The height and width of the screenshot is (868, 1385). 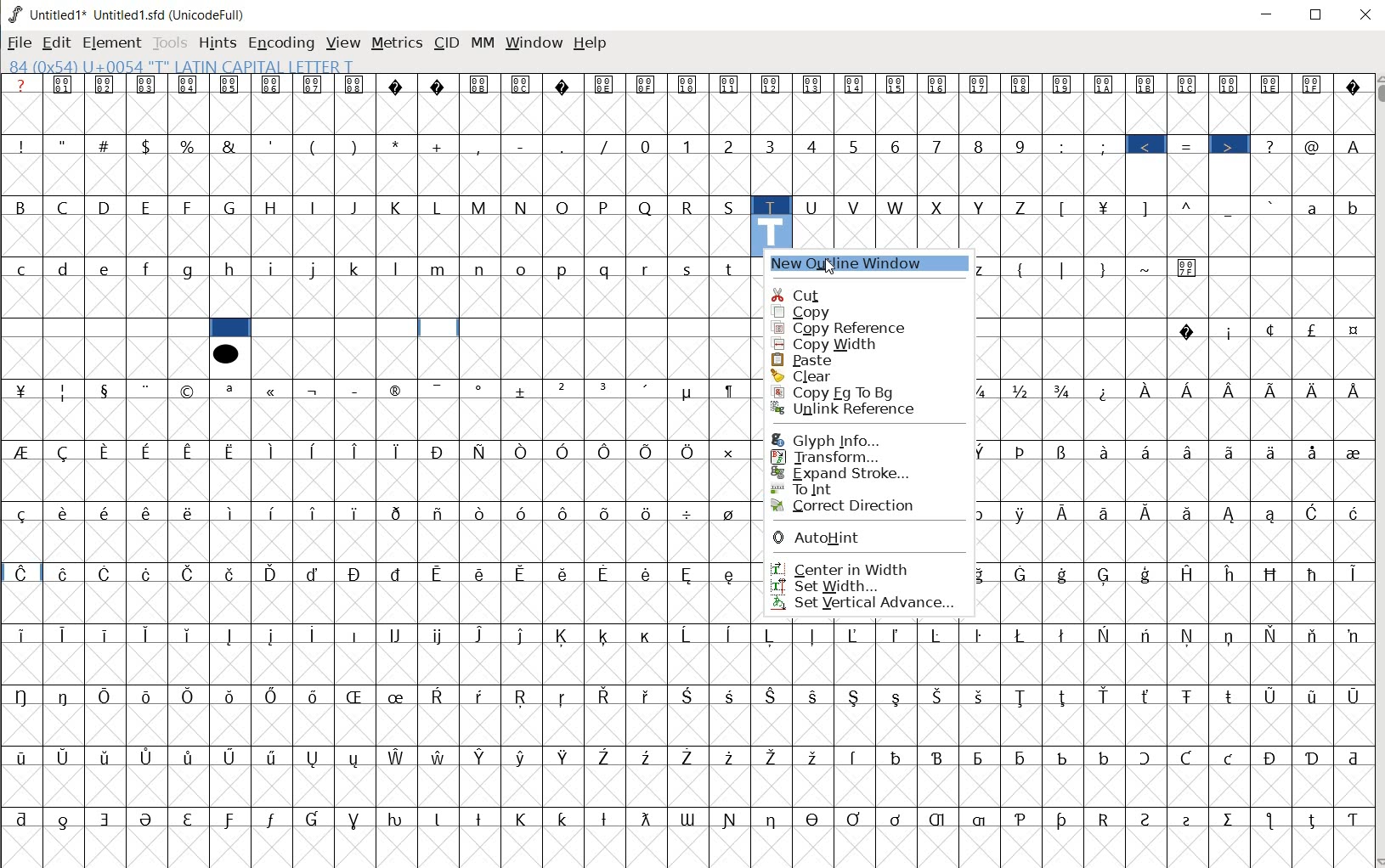 I want to click on |, so click(x=1064, y=269).